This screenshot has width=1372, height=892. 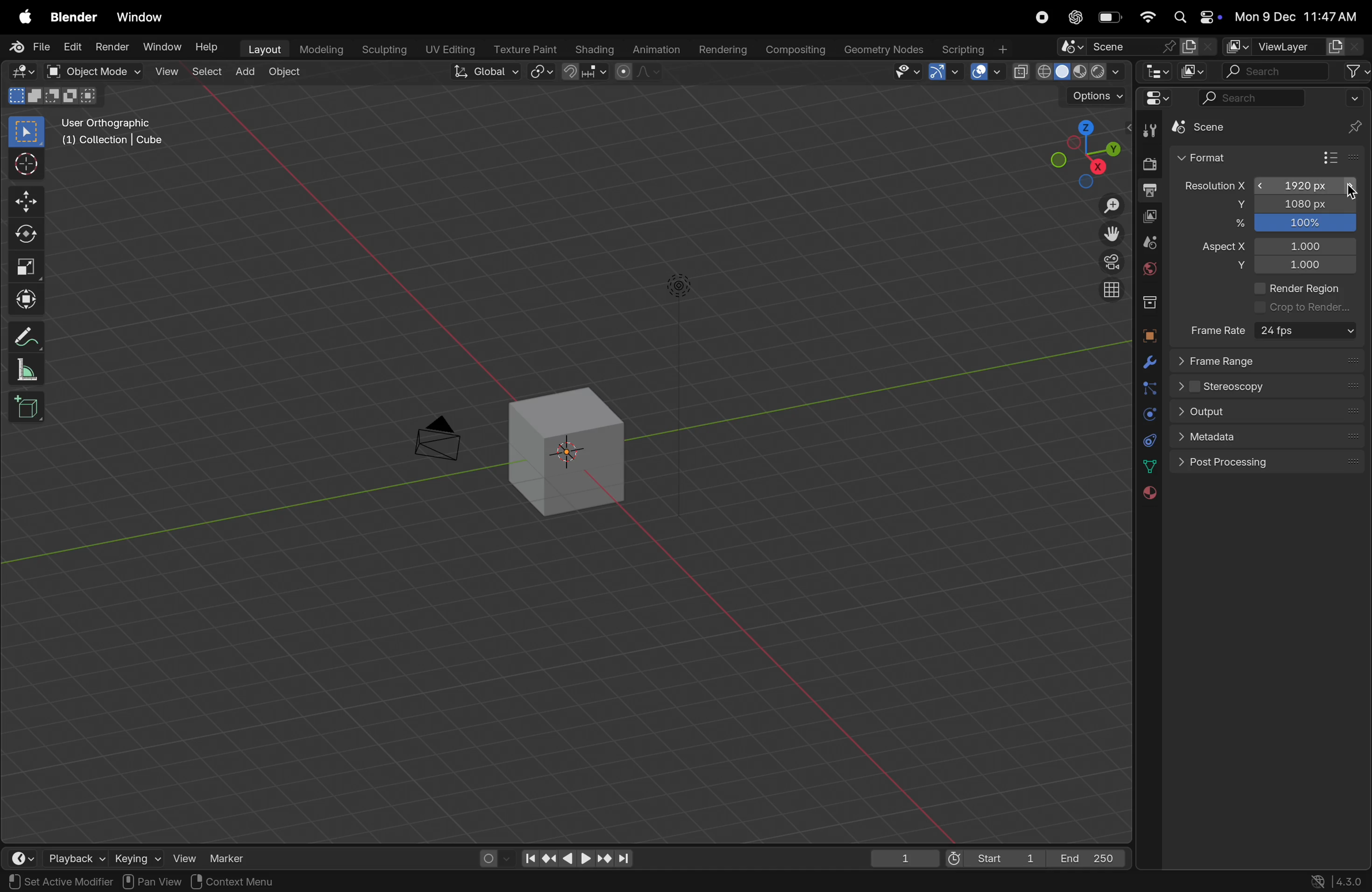 What do you see at coordinates (77, 856) in the screenshot?
I see `playback` at bounding box center [77, 856].